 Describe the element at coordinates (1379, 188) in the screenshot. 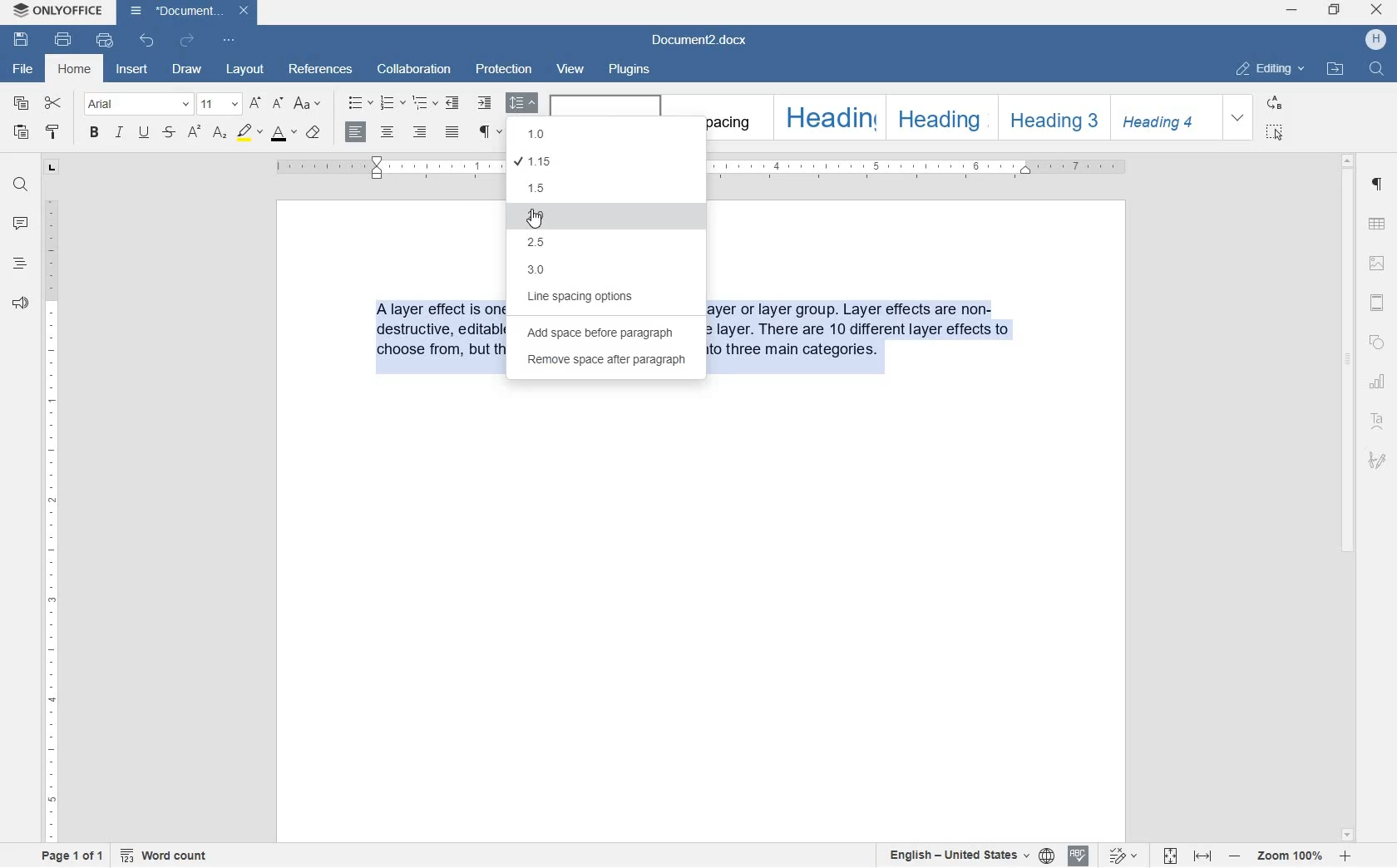

I see `paragraph settings` at that location.